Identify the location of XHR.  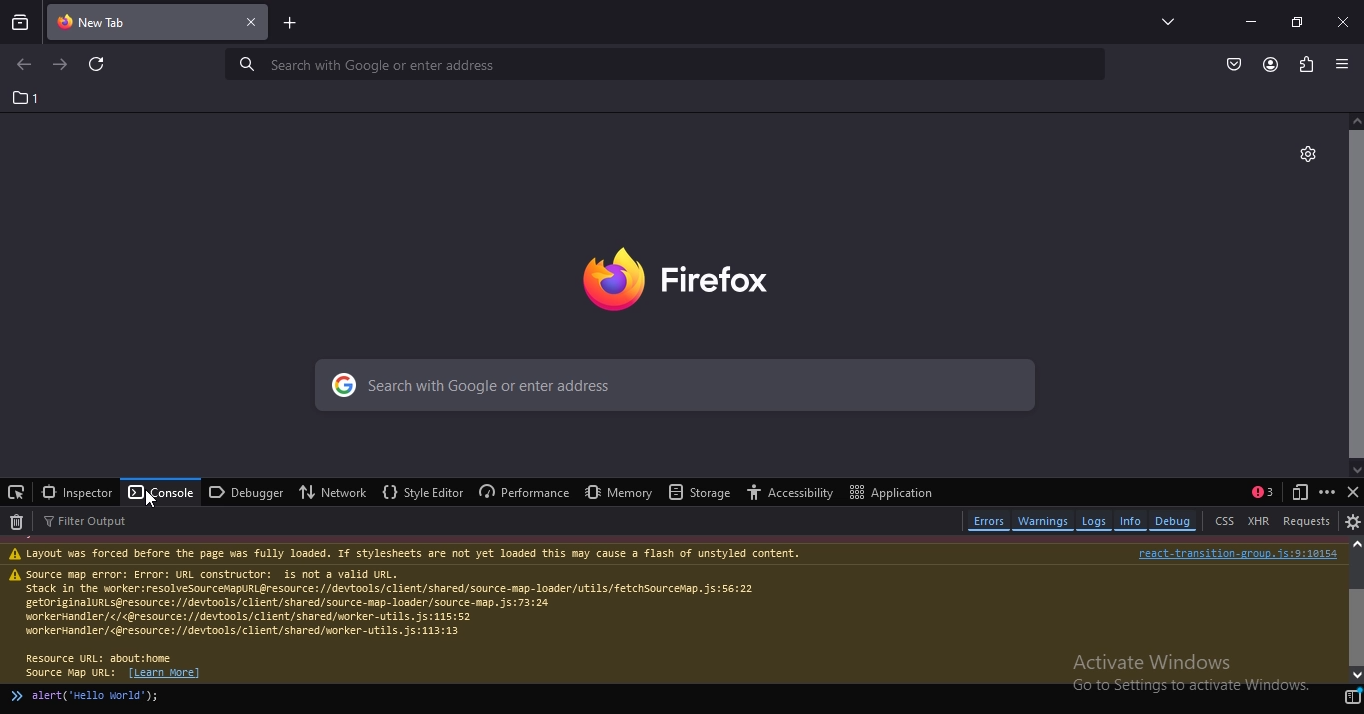
(1258, 519).